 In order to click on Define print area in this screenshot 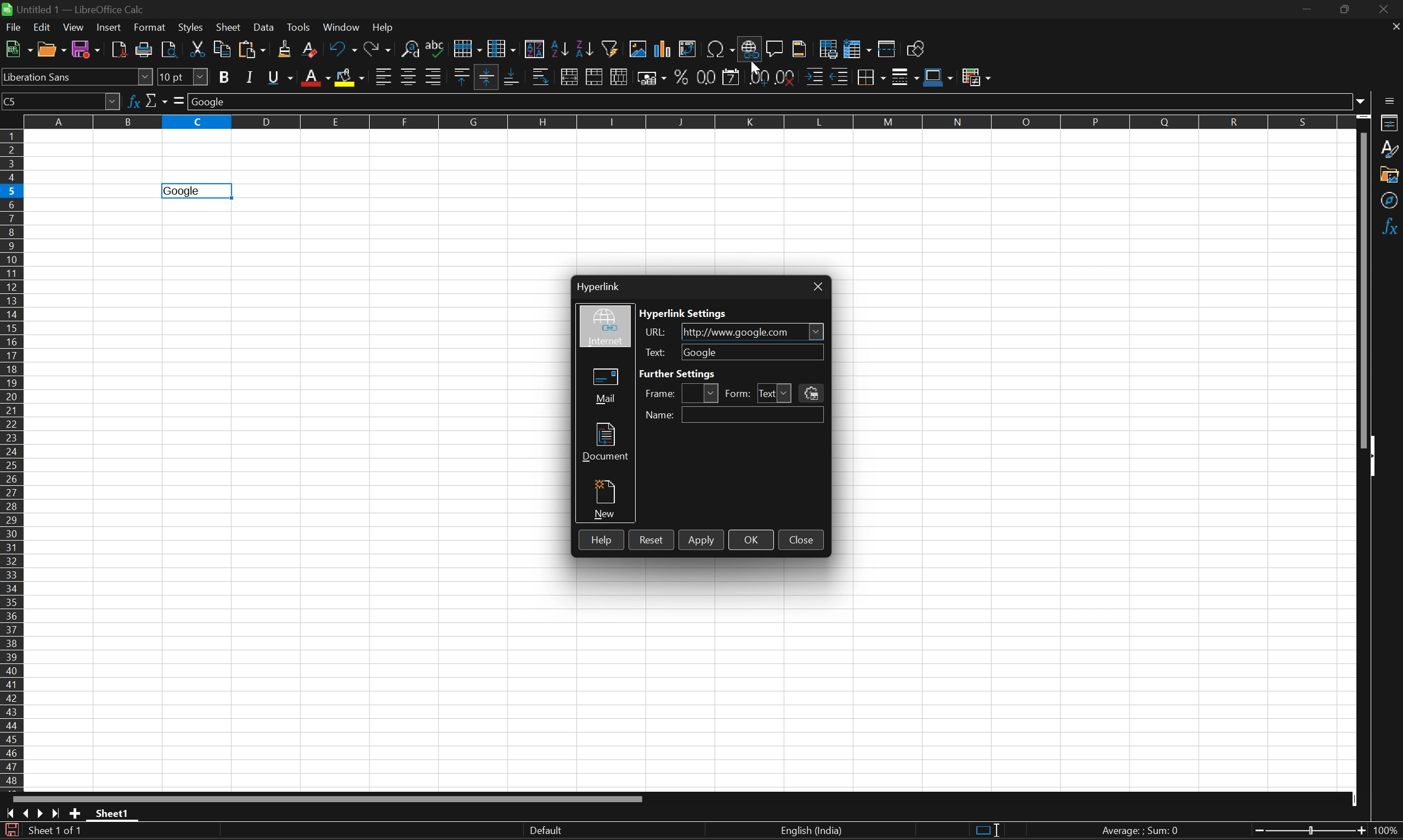, I will do `click(828, 47)`.